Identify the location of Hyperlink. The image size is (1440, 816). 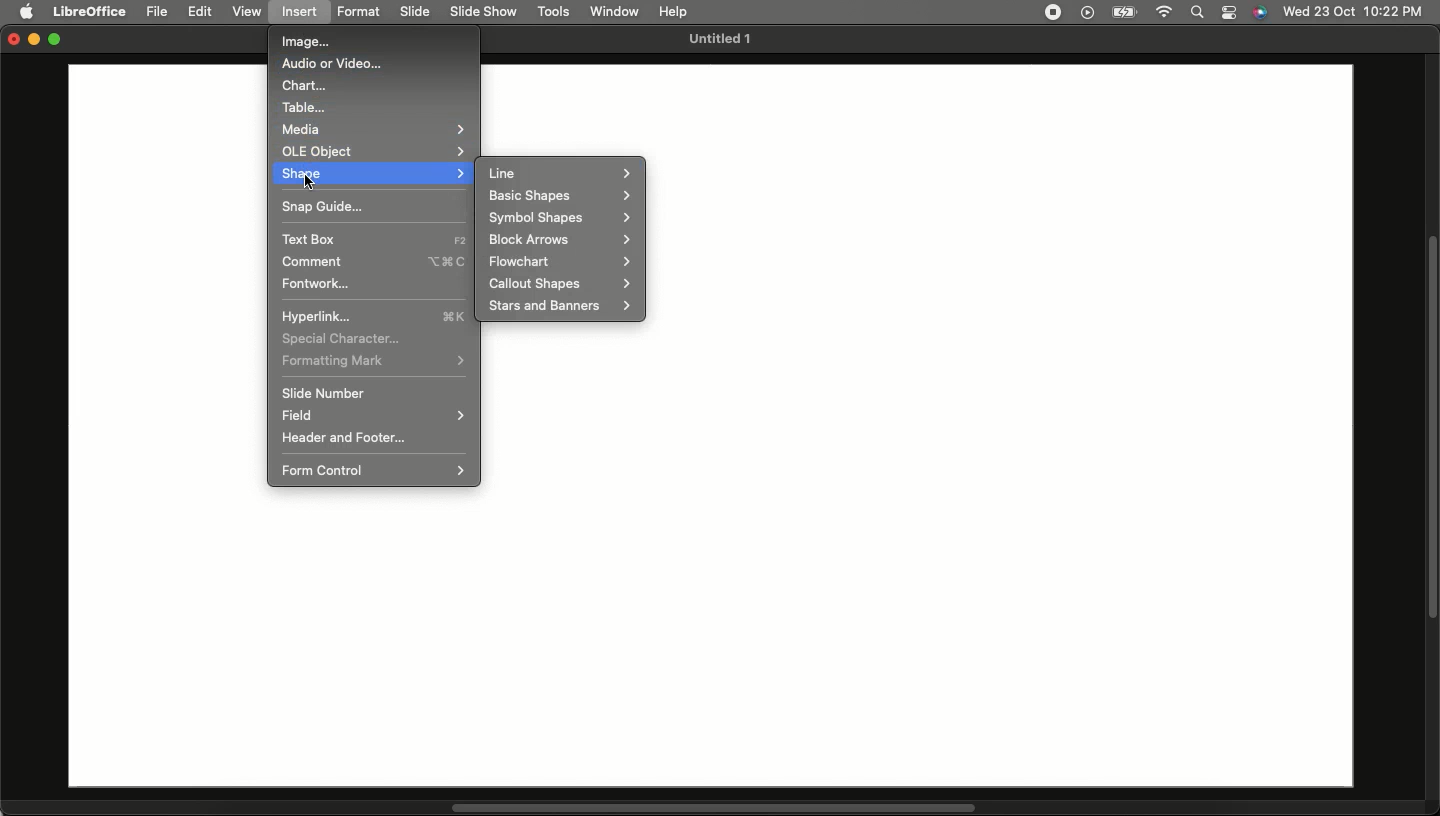
(373, 317).